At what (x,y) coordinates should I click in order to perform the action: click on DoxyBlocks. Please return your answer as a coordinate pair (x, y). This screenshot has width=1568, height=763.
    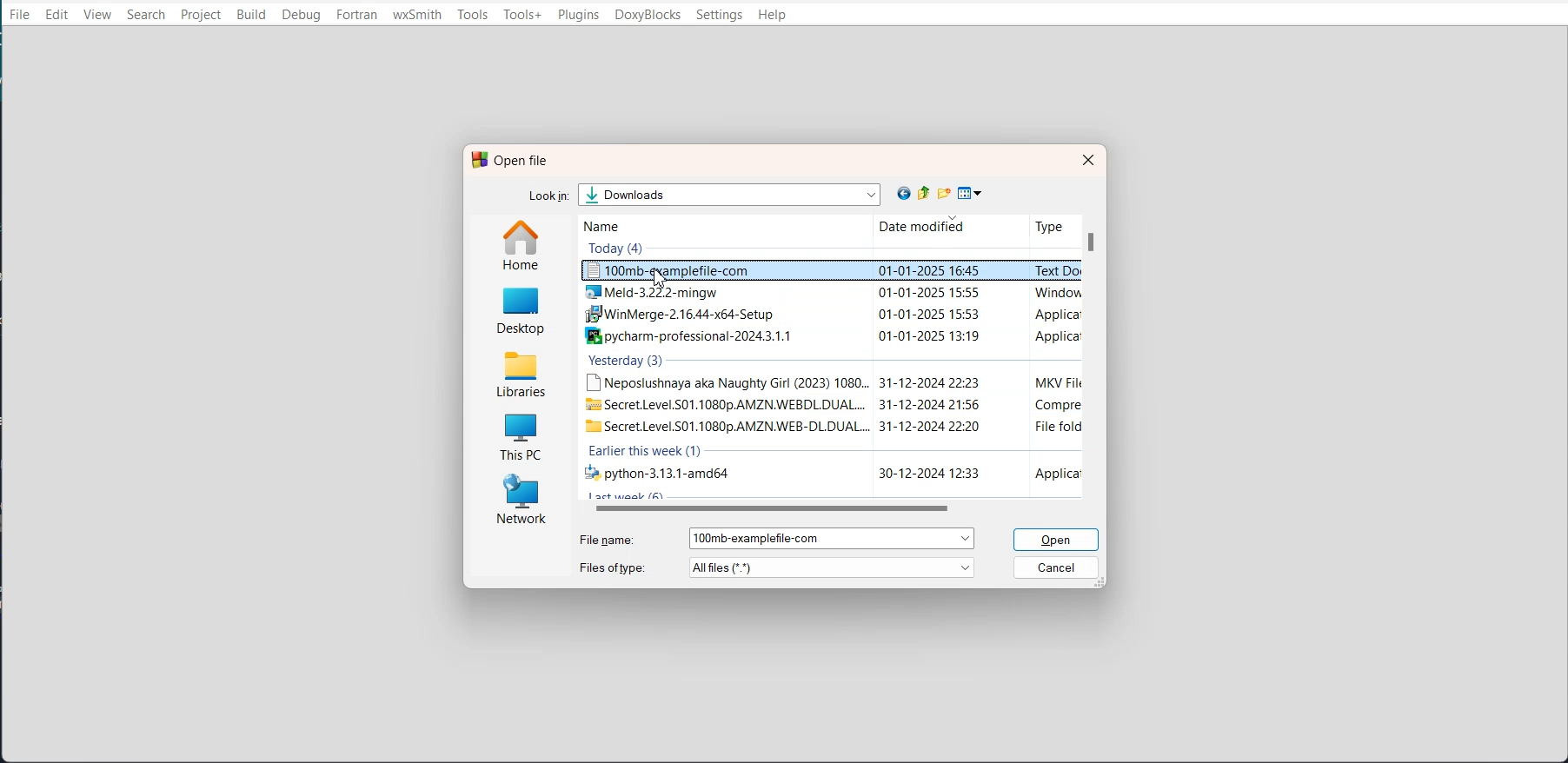
    Looking at the image, I should click on (648, 15).